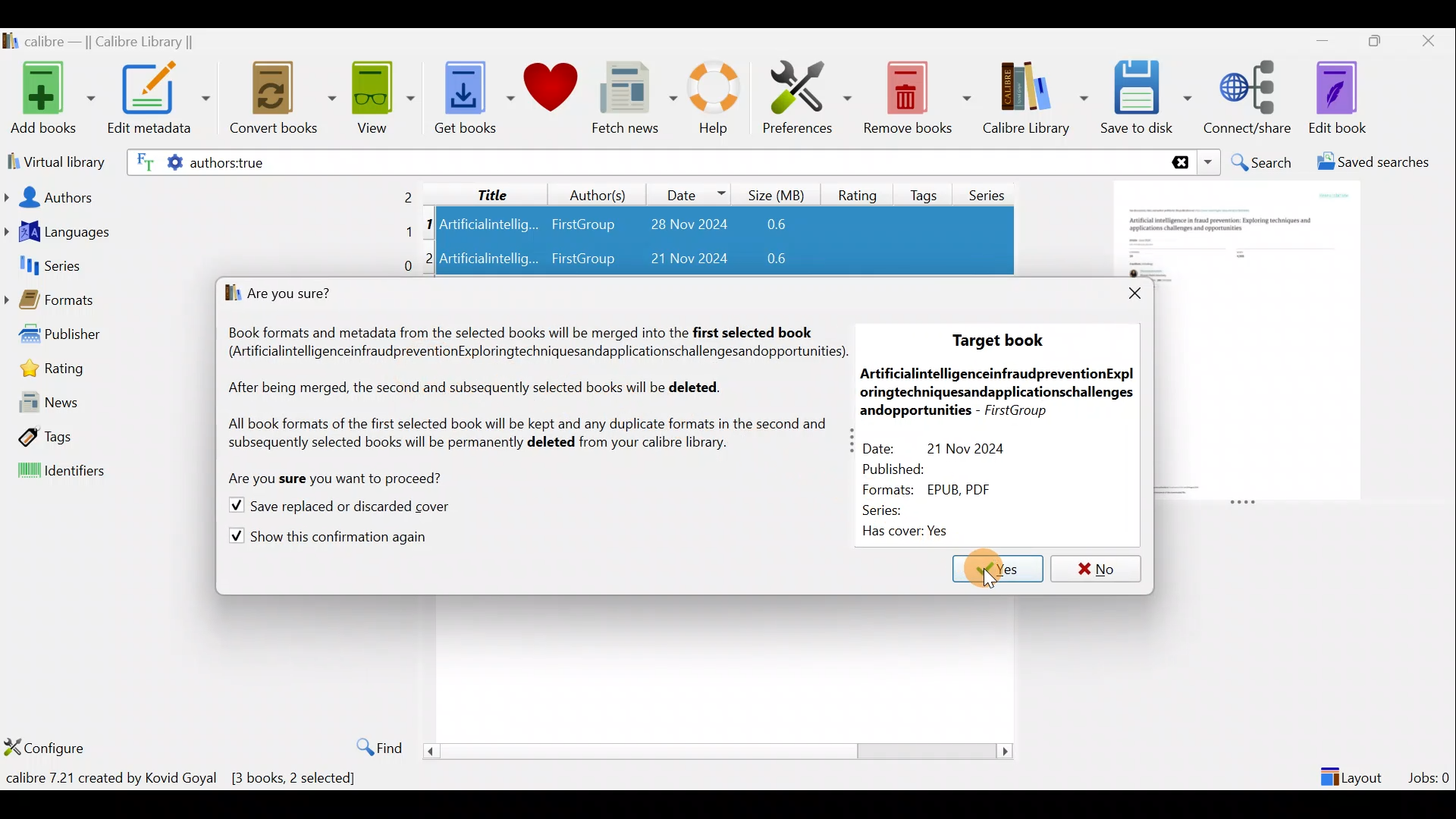  What do you see at coordinates (327, 538) in the screenshot?
I see `Show this confirmation again` at bounding box center [327, 538].